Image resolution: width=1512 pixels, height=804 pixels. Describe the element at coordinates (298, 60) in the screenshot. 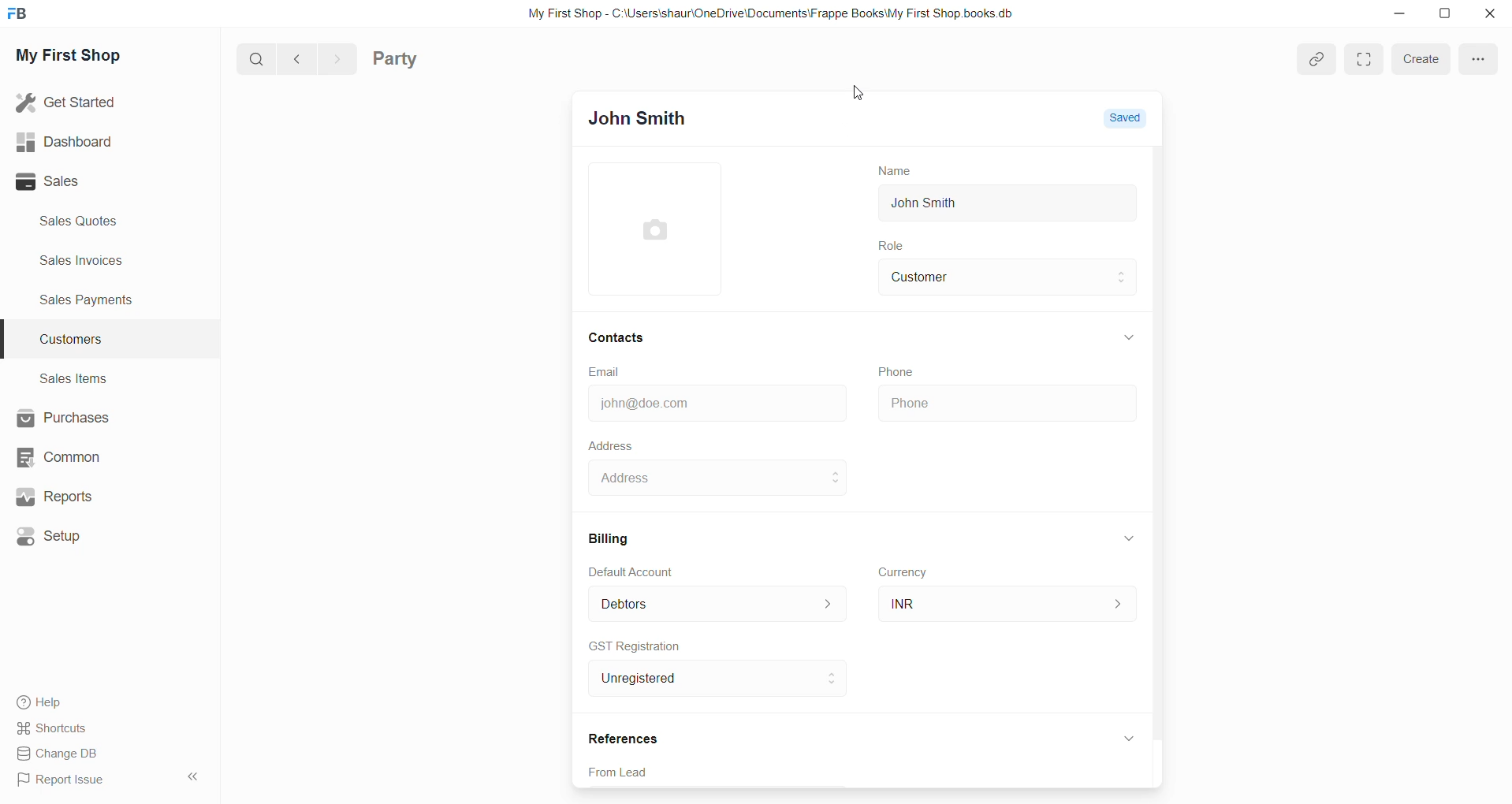

I see `go back` at that location.